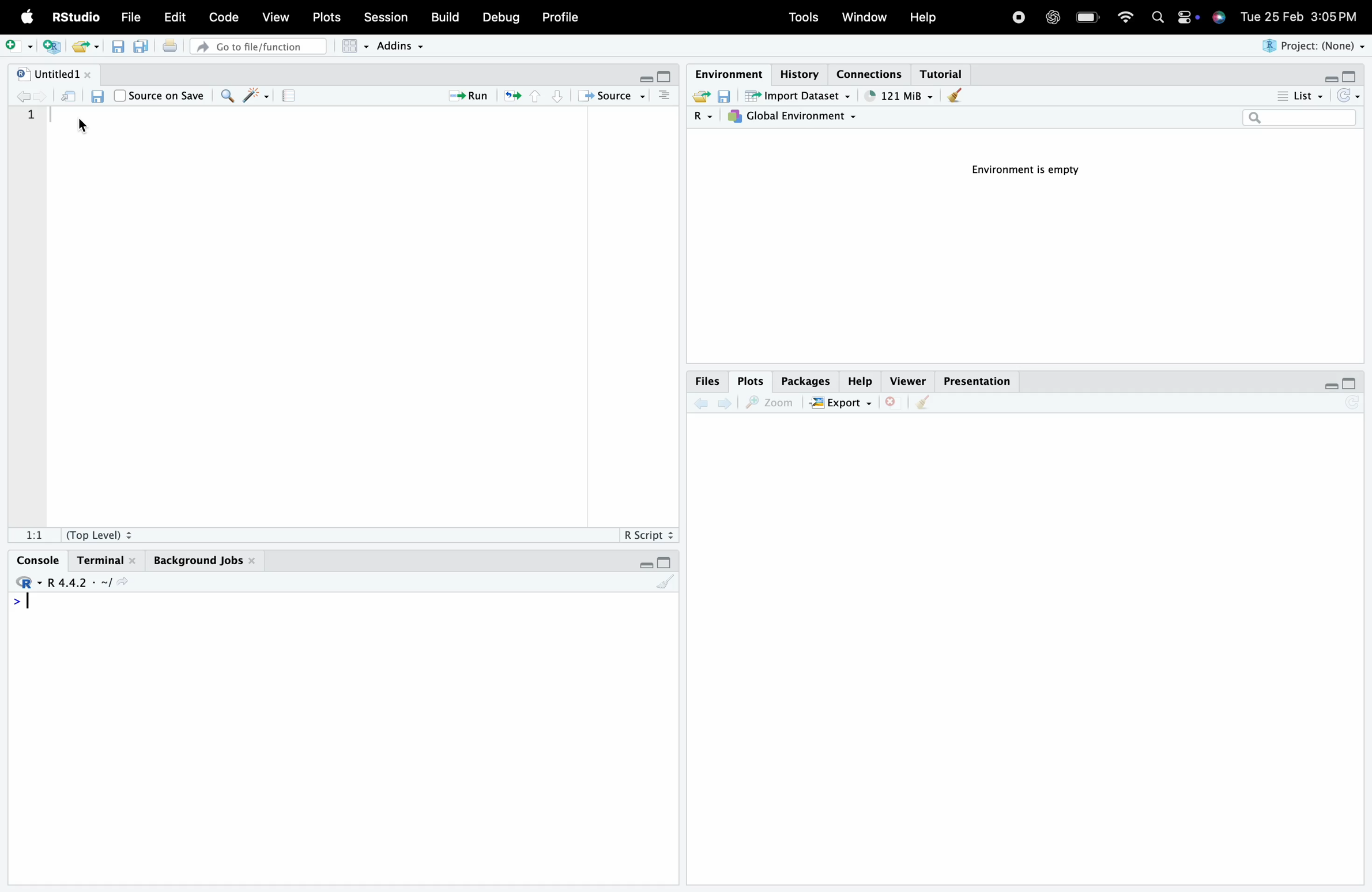  What do you see at coordinates (647, 79) in the screenshot?
I see `Minimize` at bounding box center [647, 79].